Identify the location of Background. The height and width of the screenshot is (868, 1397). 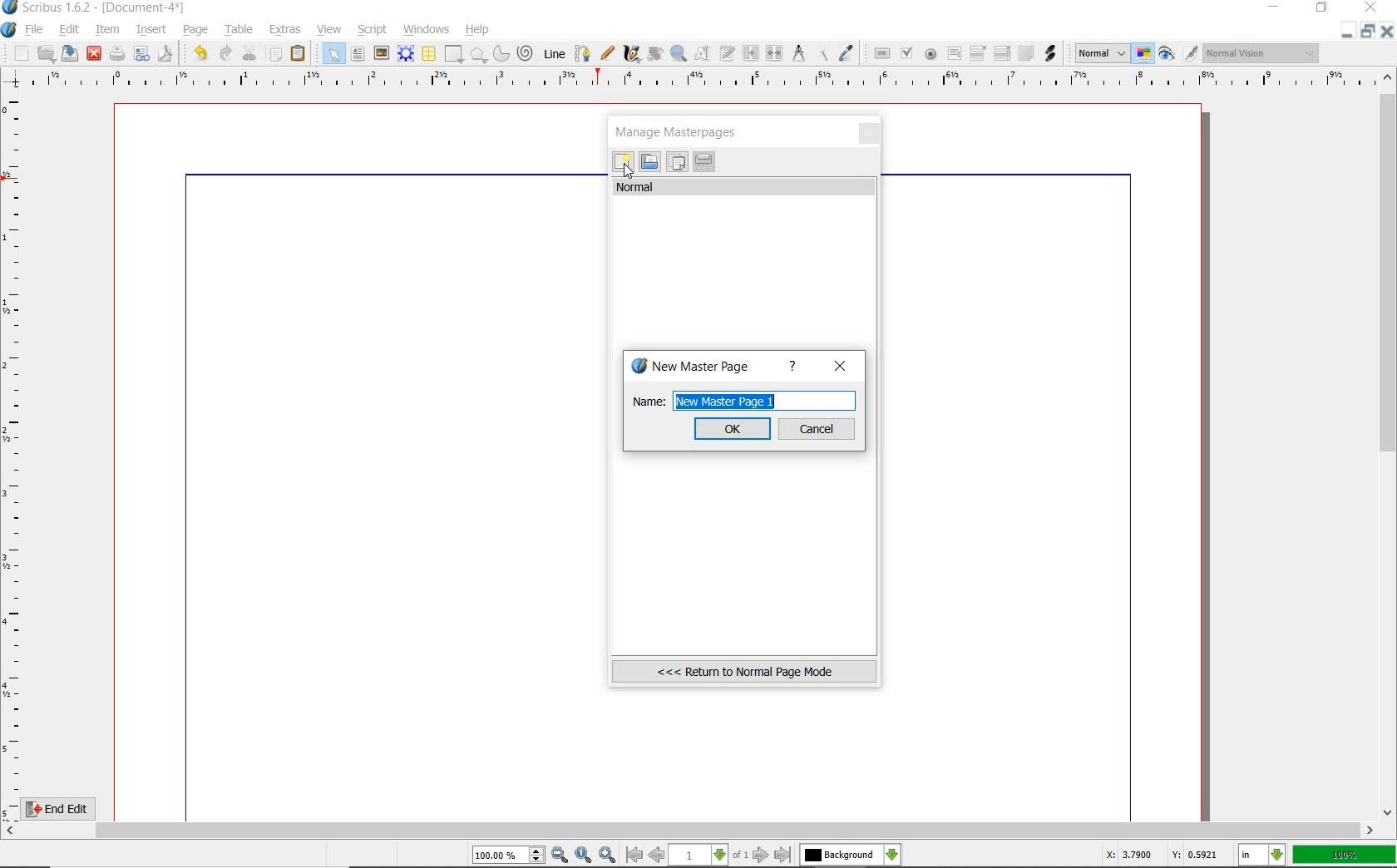
(851, 856).